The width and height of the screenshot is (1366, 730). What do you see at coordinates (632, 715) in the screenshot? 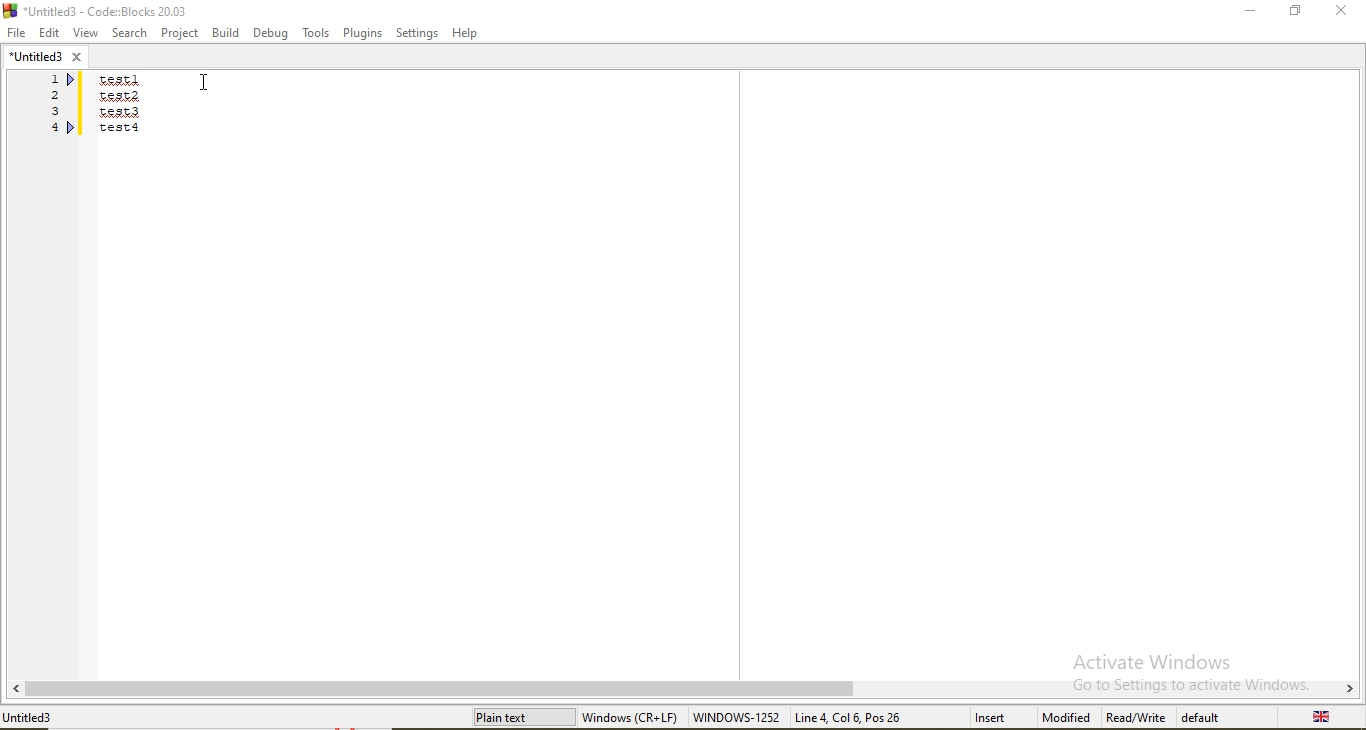
I see `Windows(CR+LF)` at bounding box center [632, 715].